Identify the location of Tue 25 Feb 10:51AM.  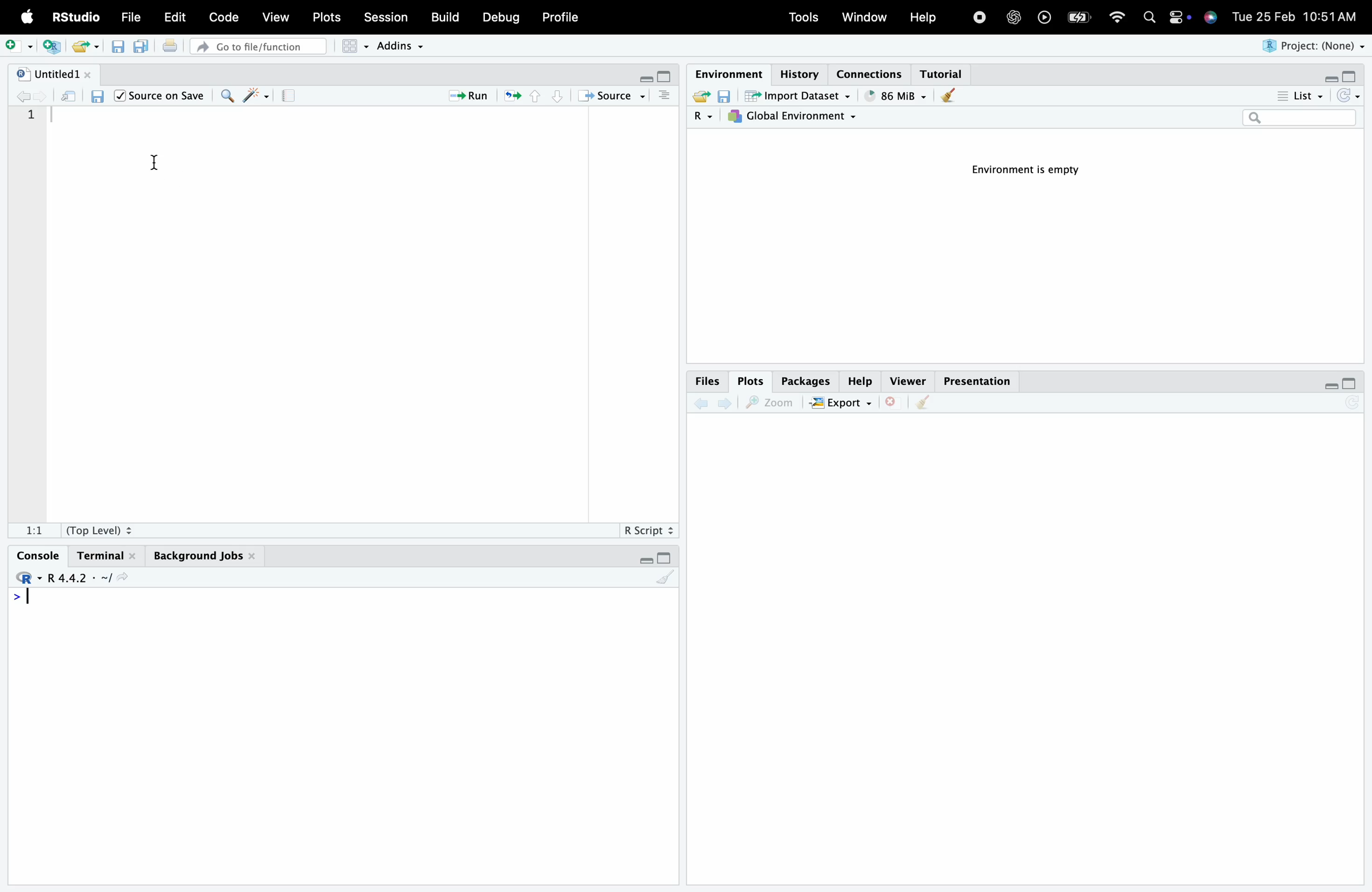
(1299, 16).